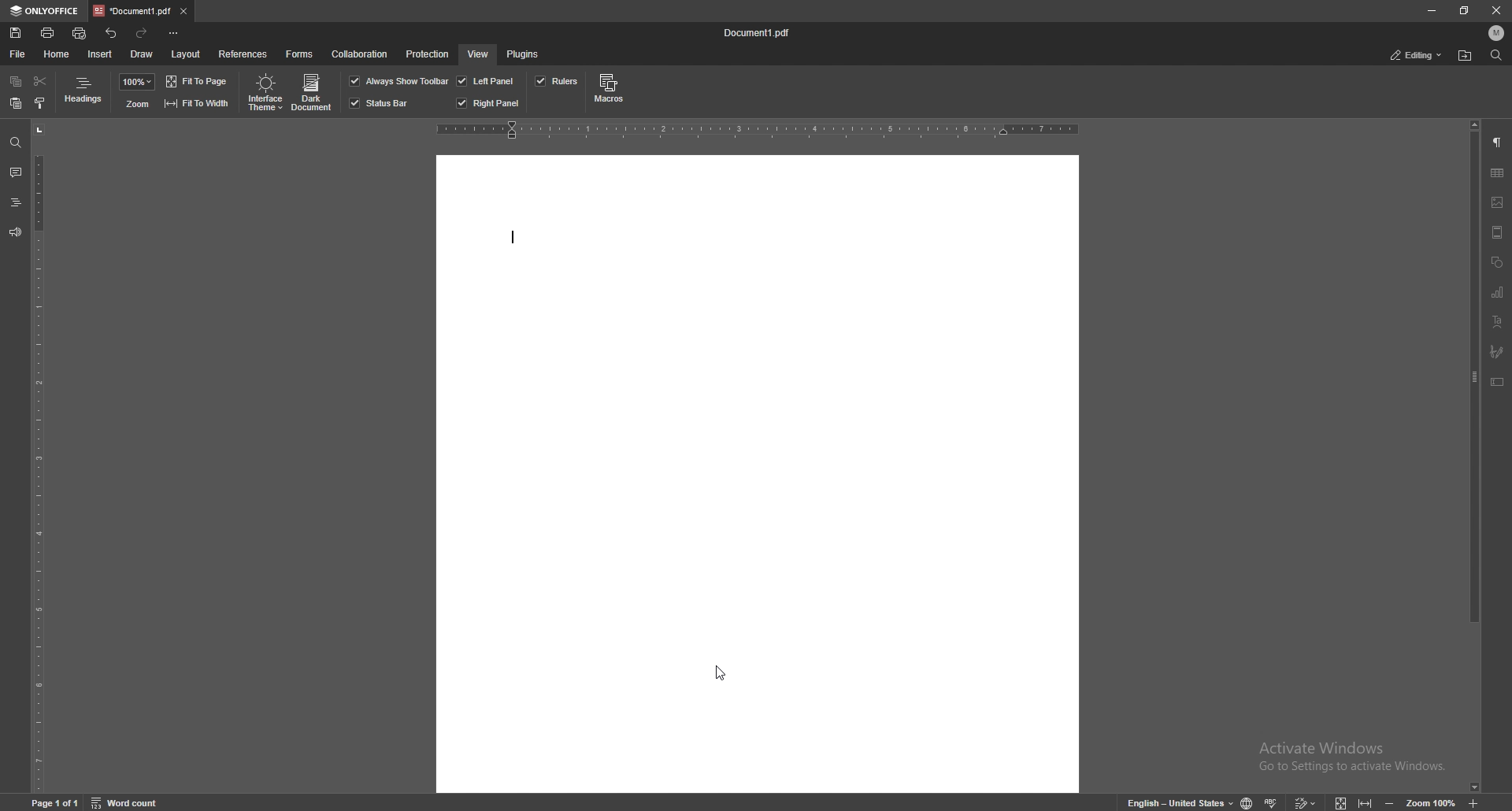 This screenshot has width=1512, height=811. What do you see at coordinates (1495, 56) in the screenshot?
I see `find` at bounding box center [1495, 56].